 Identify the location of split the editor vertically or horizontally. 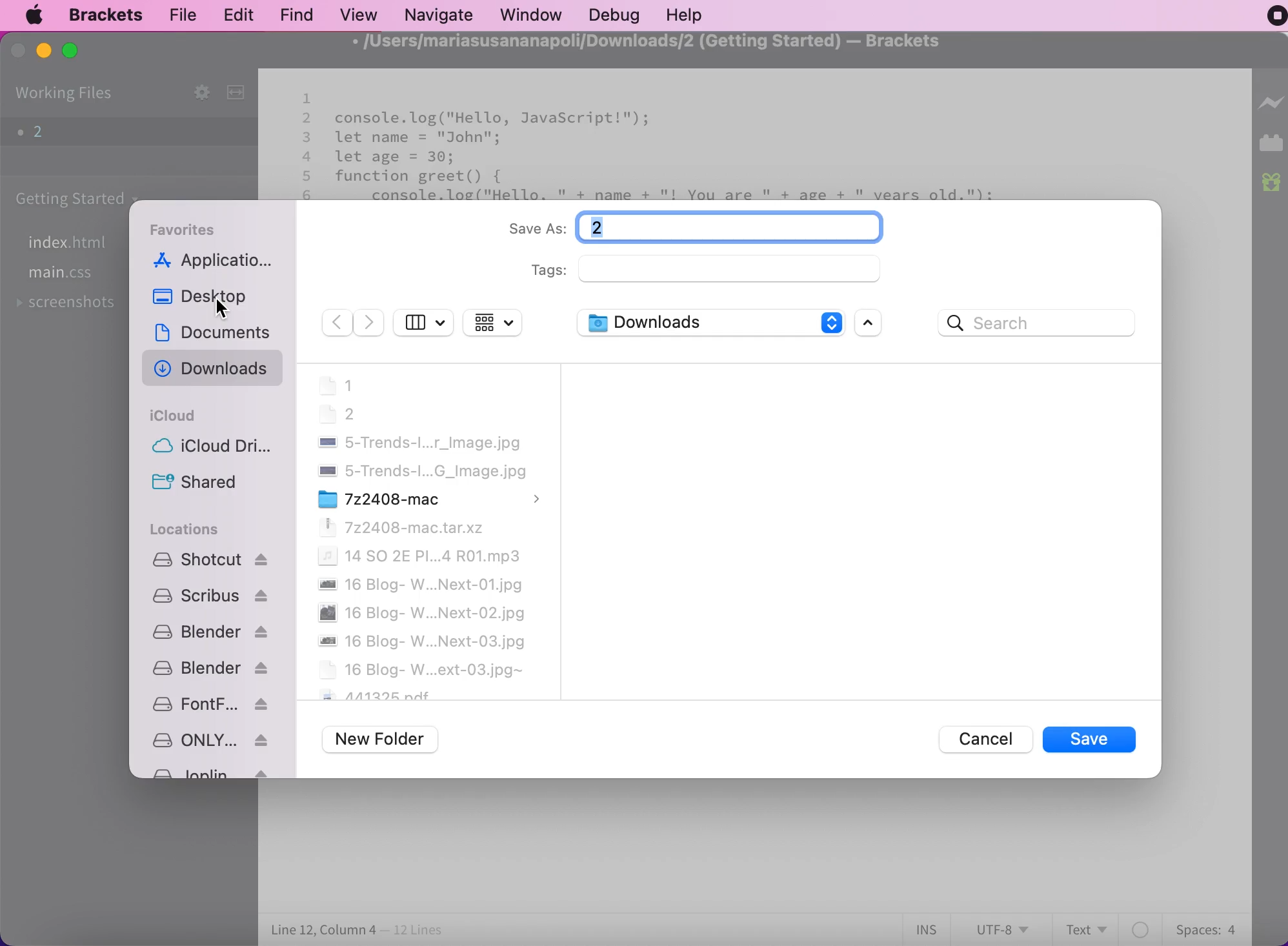
(239, 94).